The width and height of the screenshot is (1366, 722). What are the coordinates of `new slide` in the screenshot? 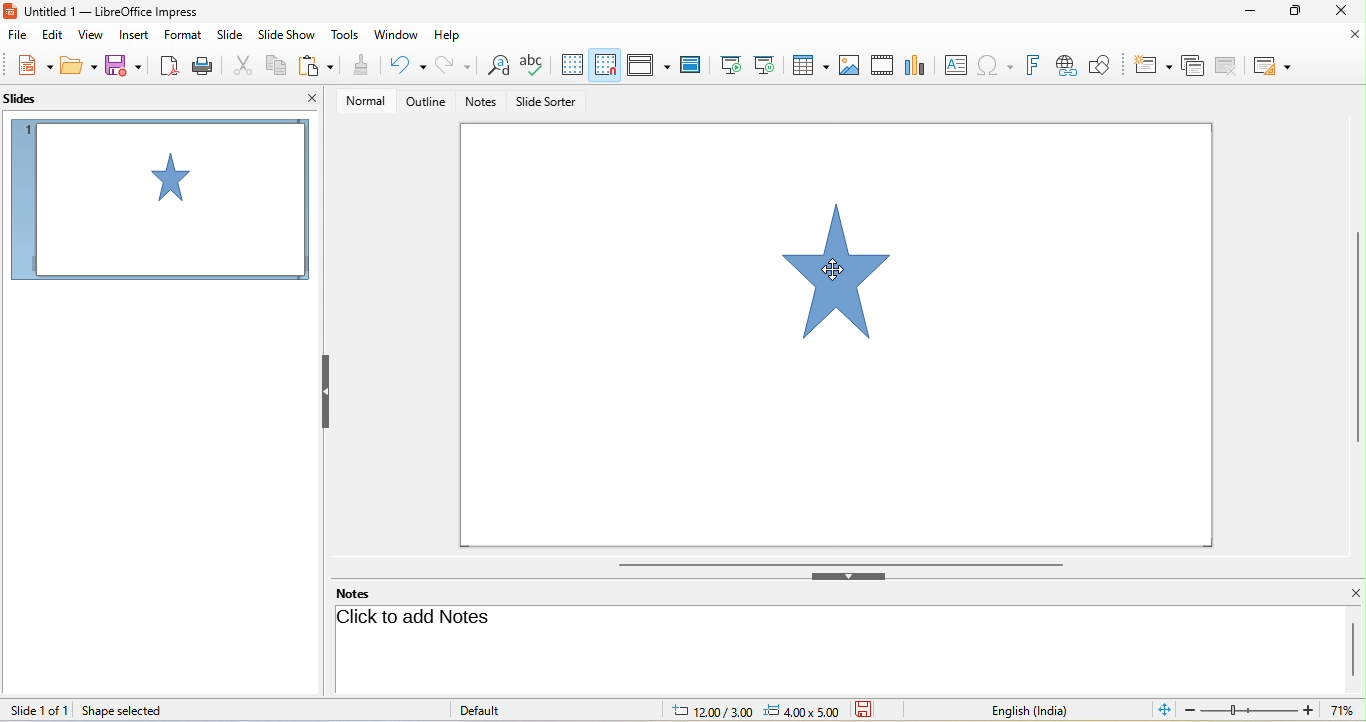 It's located at (1153, 67).